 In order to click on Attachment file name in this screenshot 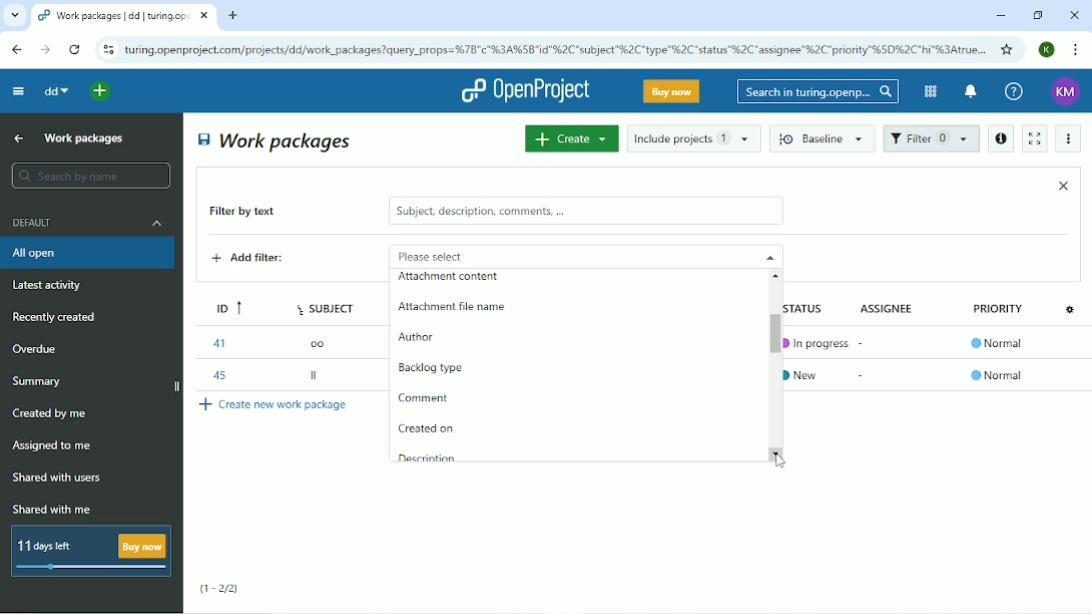, I will do `click(459, 304)`.